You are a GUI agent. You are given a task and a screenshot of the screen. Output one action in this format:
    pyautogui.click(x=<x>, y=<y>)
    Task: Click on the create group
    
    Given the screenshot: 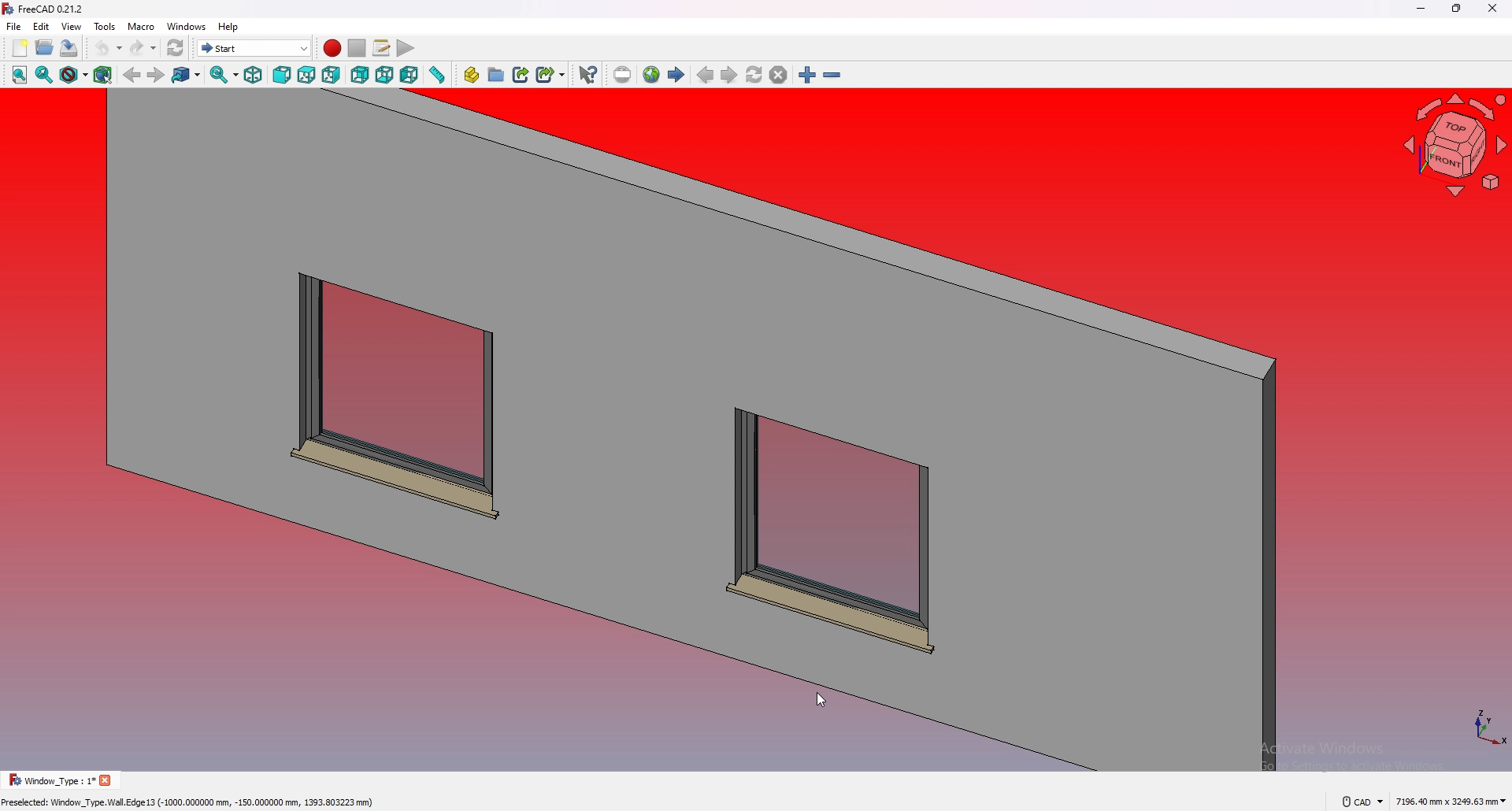 What is the action you would take?
    pyautogui.click(x=498, y=74)
    